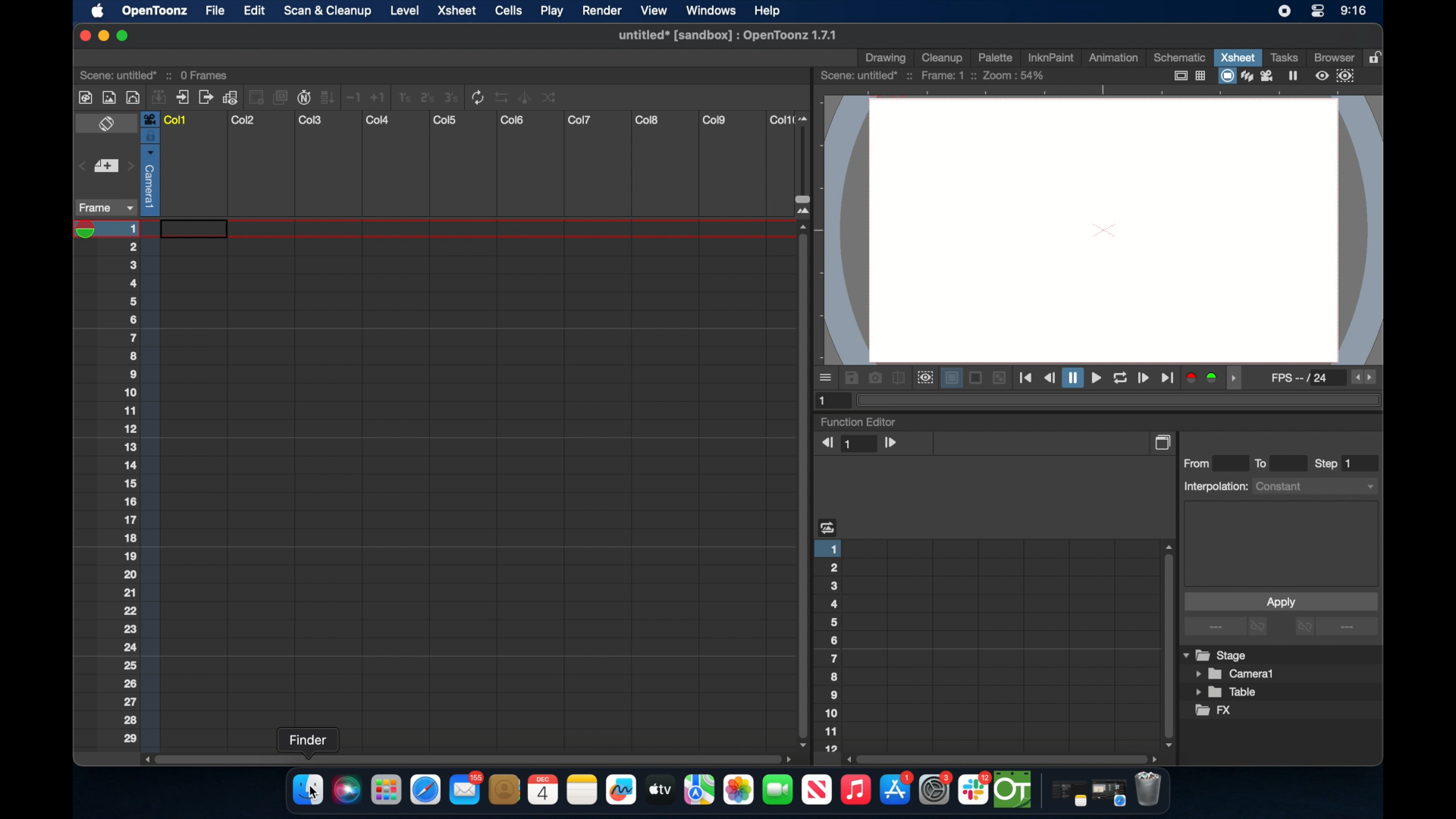 Image resolution: width=1456 pixels, height=819 pixels. Describe the element at coordinates (1238, 57) in the screenshot. I see `xsheet` at that location.